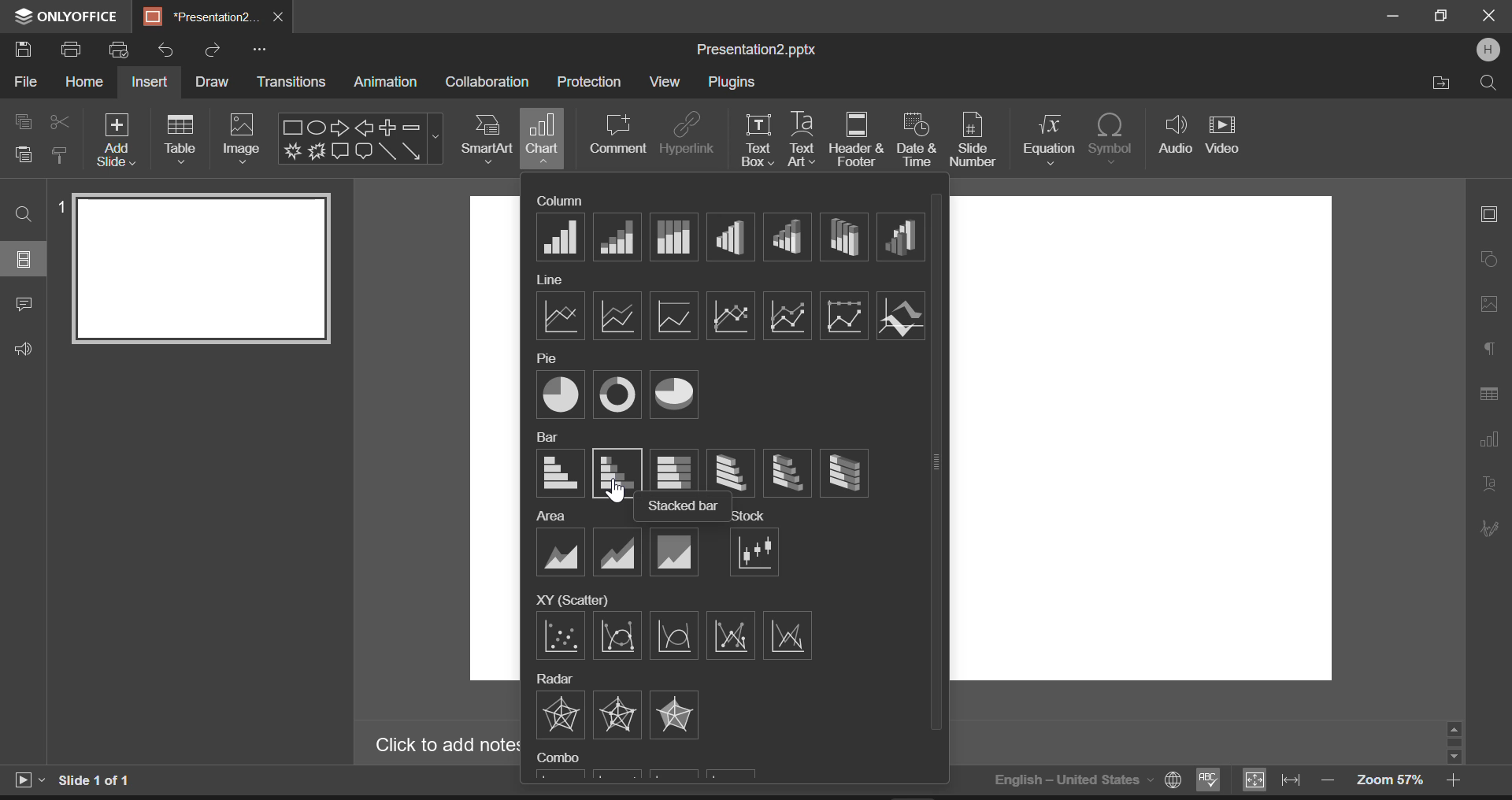 The image size is (1512, 800). What do you see at coordinates (339, 151) in the screenshot?
I see `Rectangle Callout` at bounding box center [339, 151].